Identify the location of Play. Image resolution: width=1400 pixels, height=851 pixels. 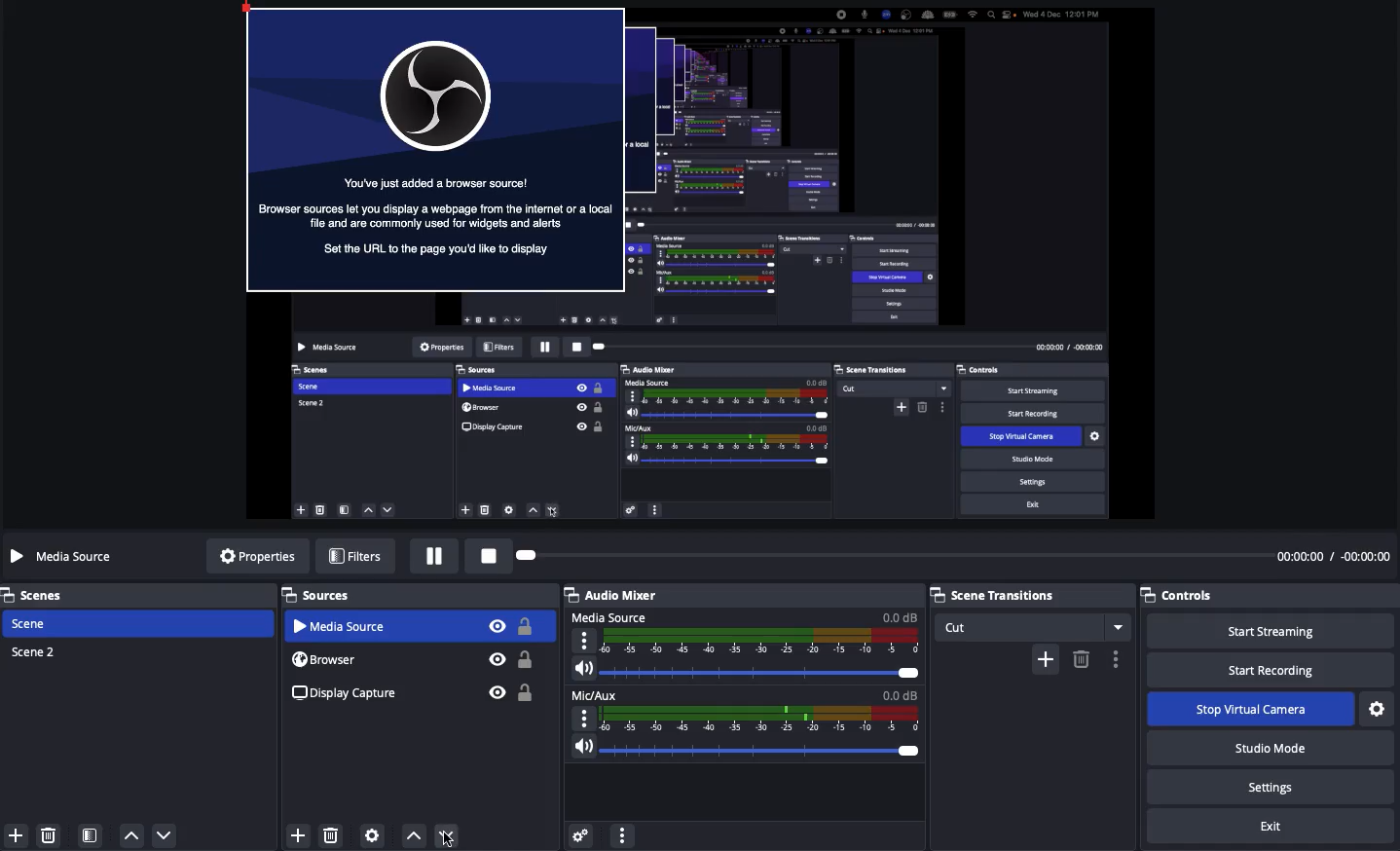
(885, 556).